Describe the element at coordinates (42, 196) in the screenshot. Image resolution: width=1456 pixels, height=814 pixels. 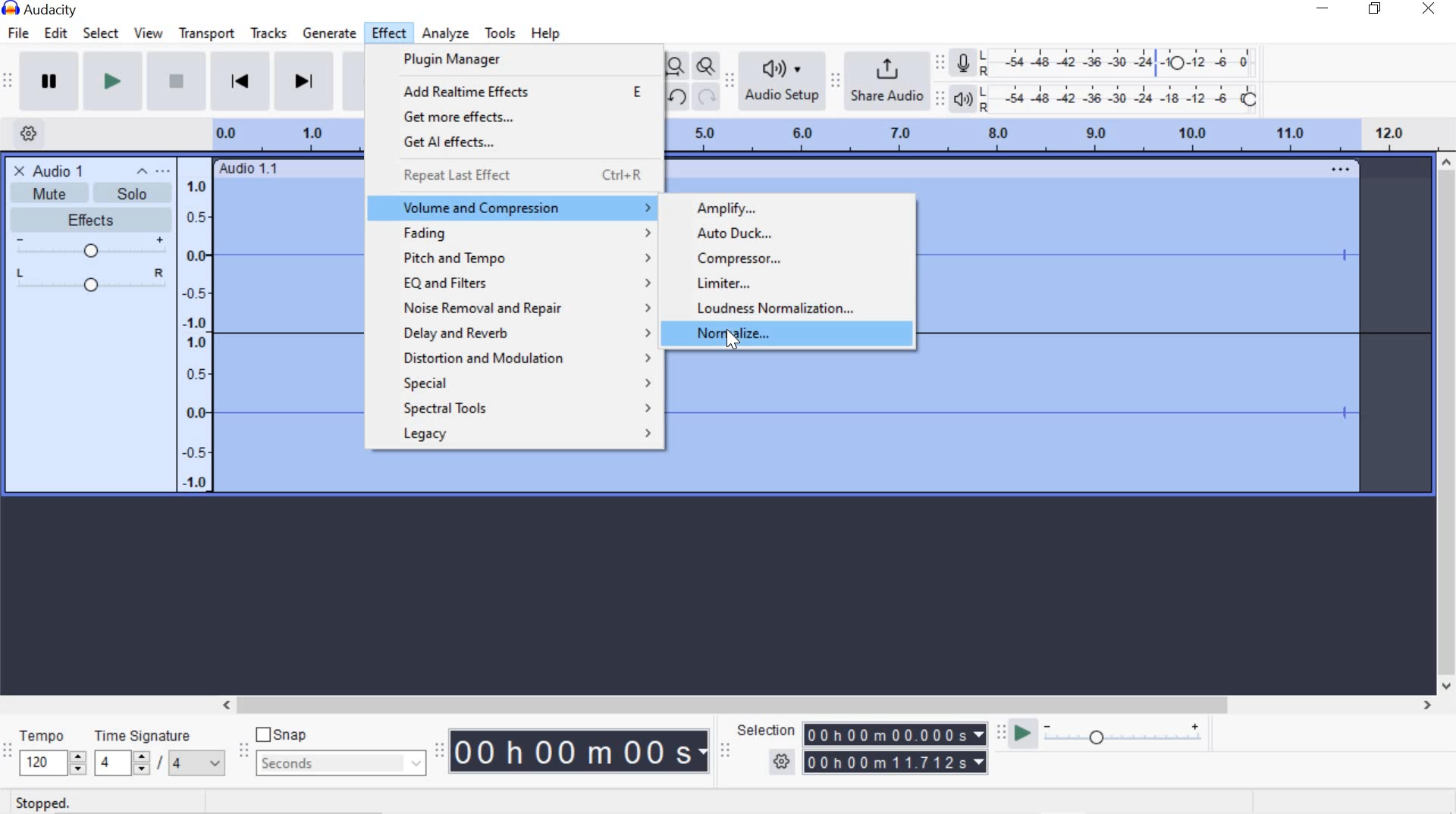
I see `MUTE` at that location.